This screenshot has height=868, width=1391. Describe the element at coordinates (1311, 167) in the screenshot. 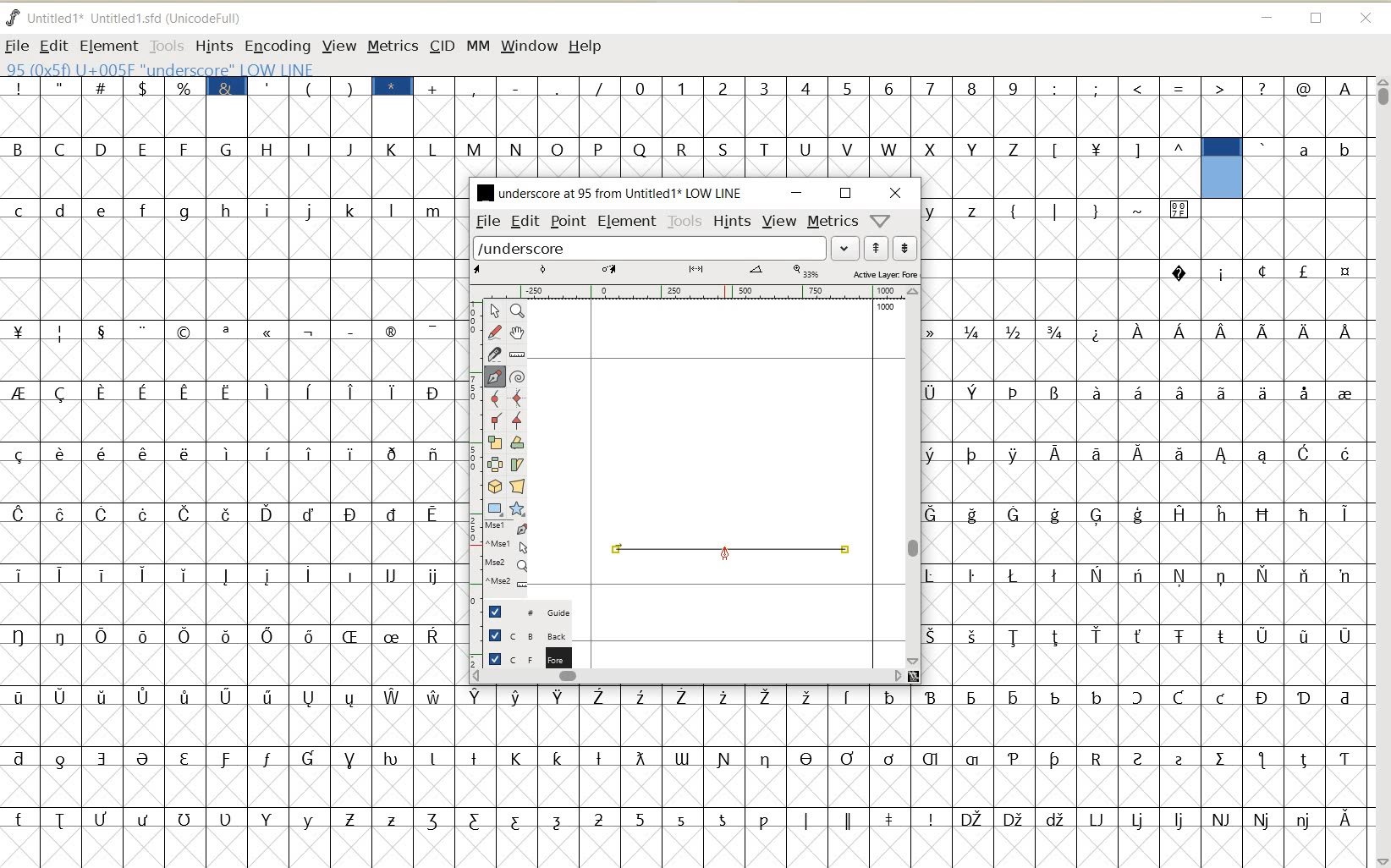

I see `GLYPHY CHARACTERS` at that location.